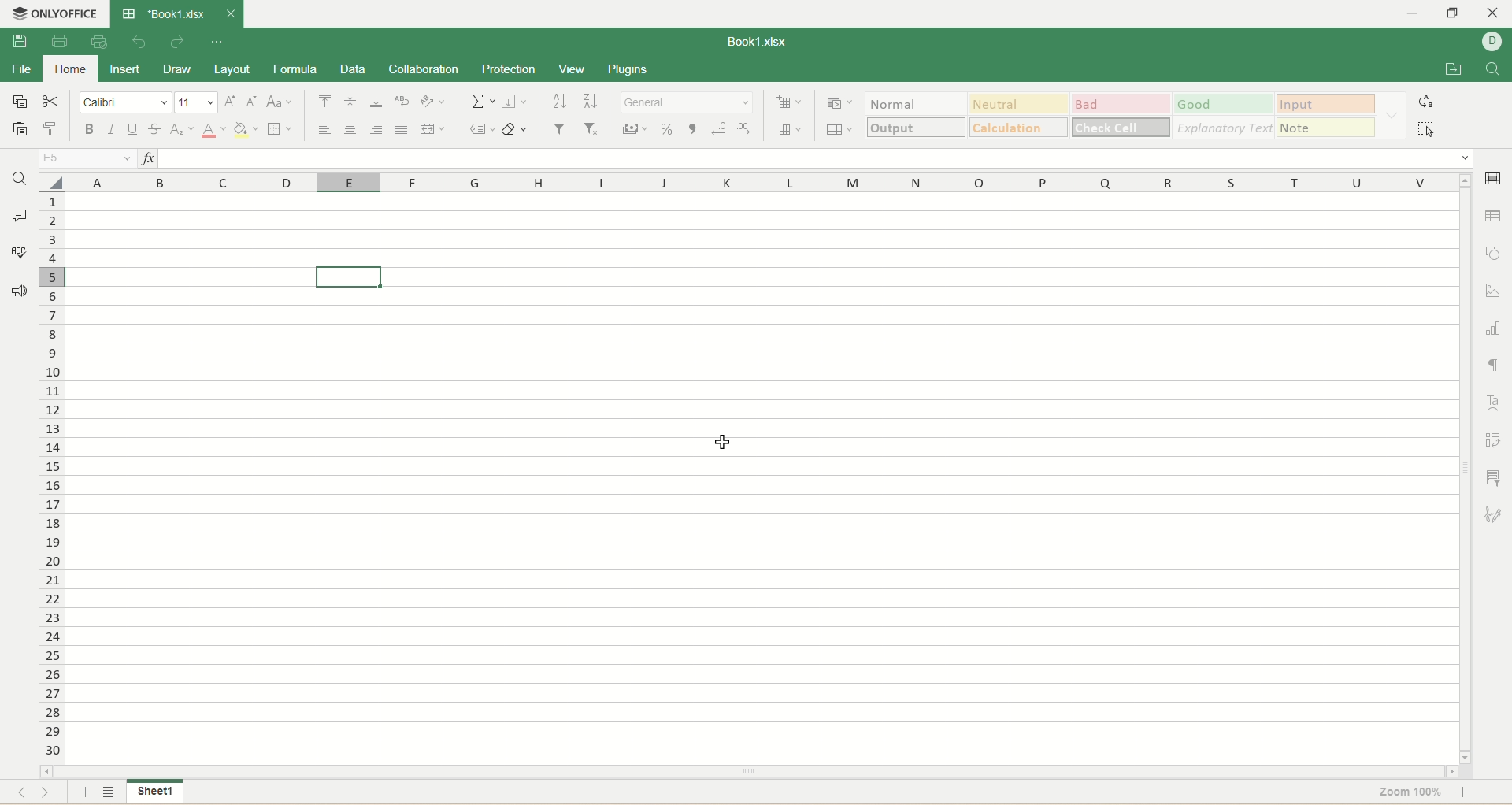 The height and width of the screenshot is (805, 1512). What do you see at coordinates (514, 100) in the screenshot?
I see `fill` at bounding box center [514, 100].